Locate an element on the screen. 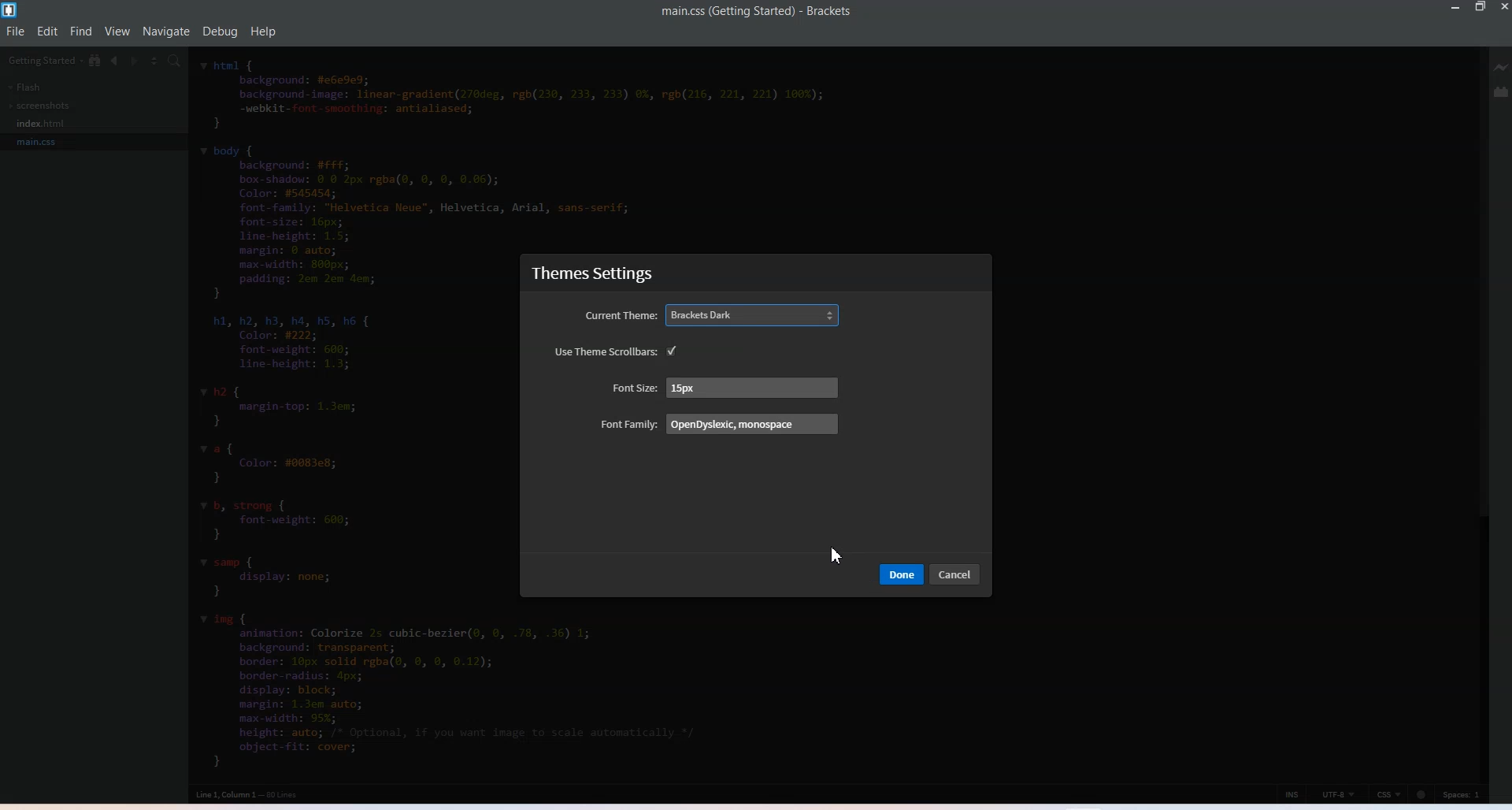  Extension Manager is located at coordinates (1502, 91).